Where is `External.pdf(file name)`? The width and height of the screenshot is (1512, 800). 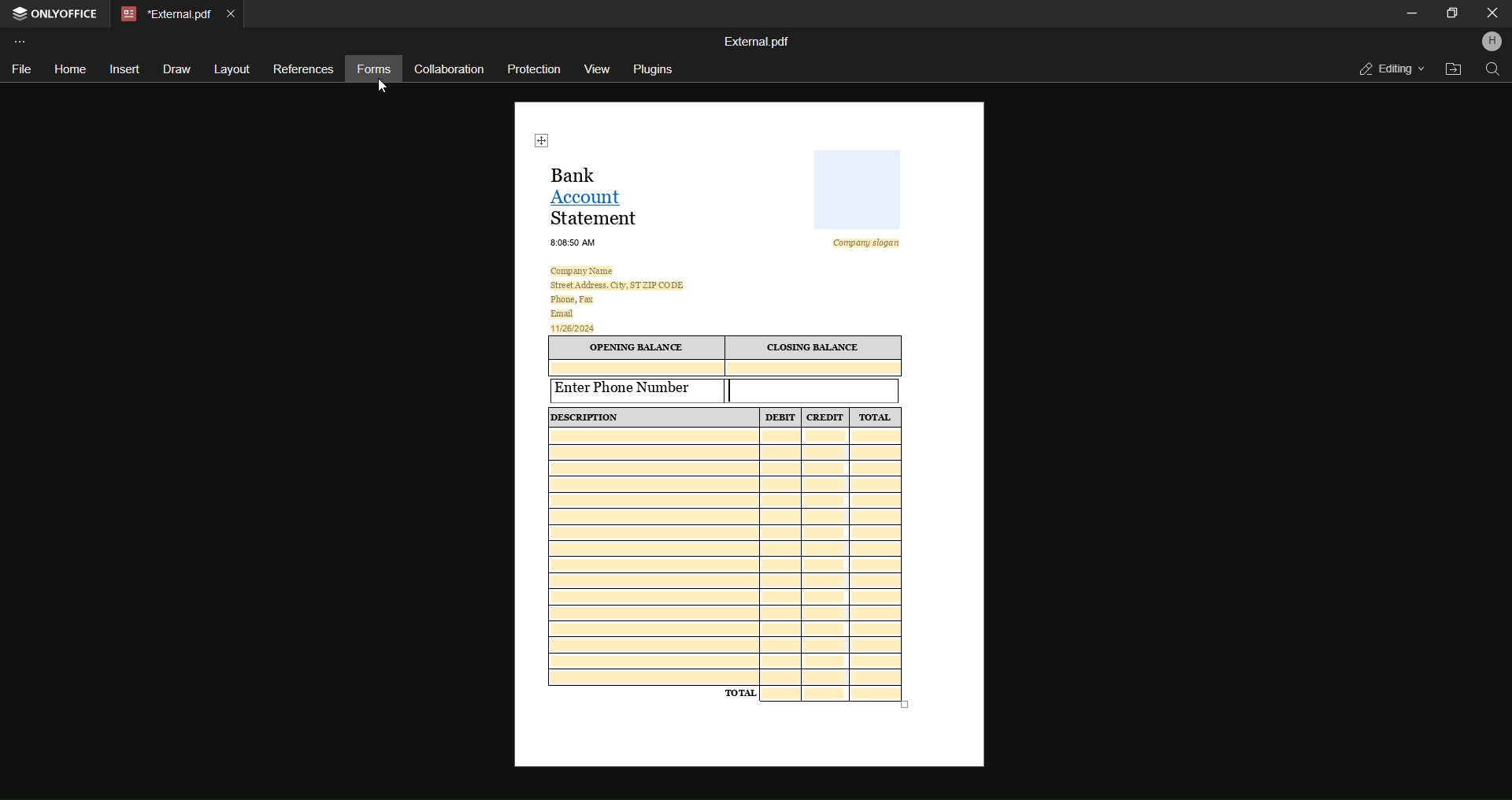 External.pdf(file name) is located at coordinates (759, 40).